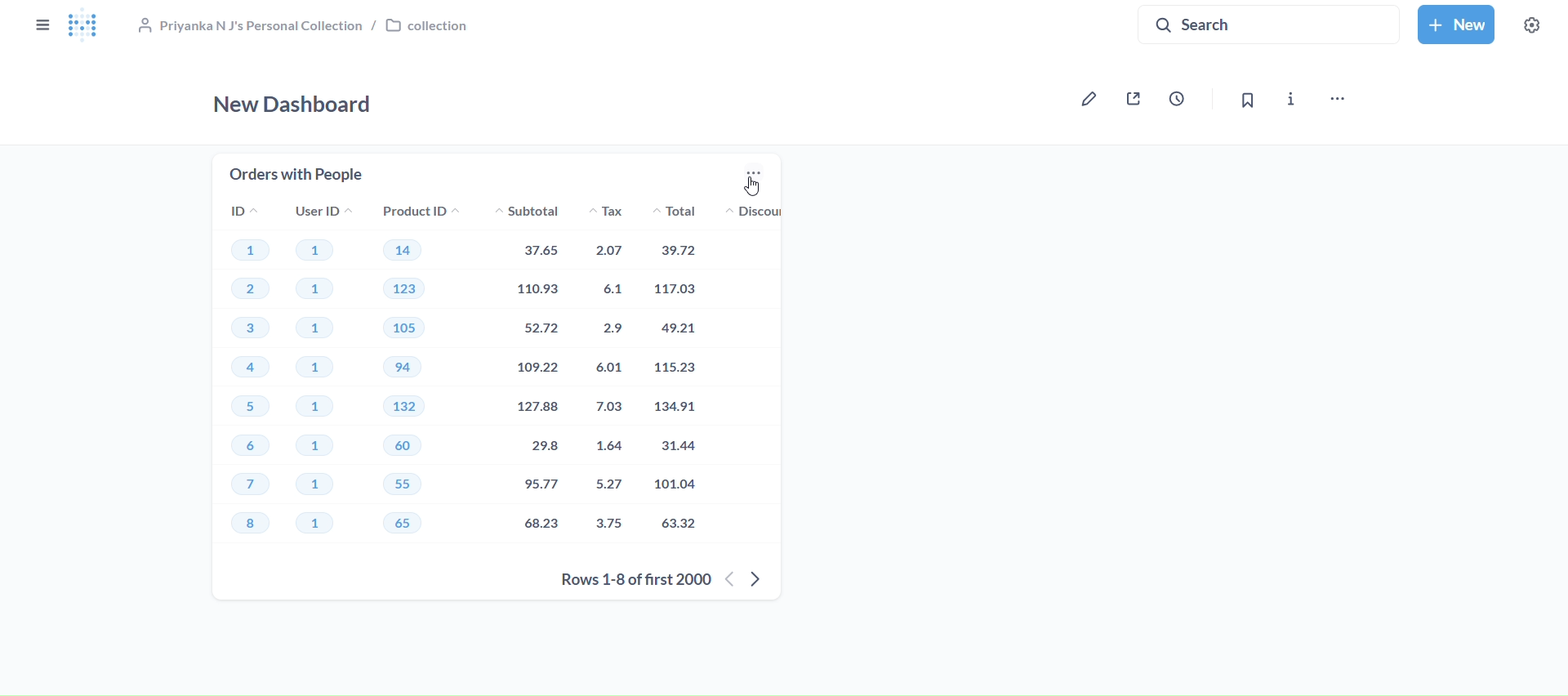 The image size is (1568, 696). Describe the element at coordinates (693, 377) in the screenshot. I see `total` at that location.